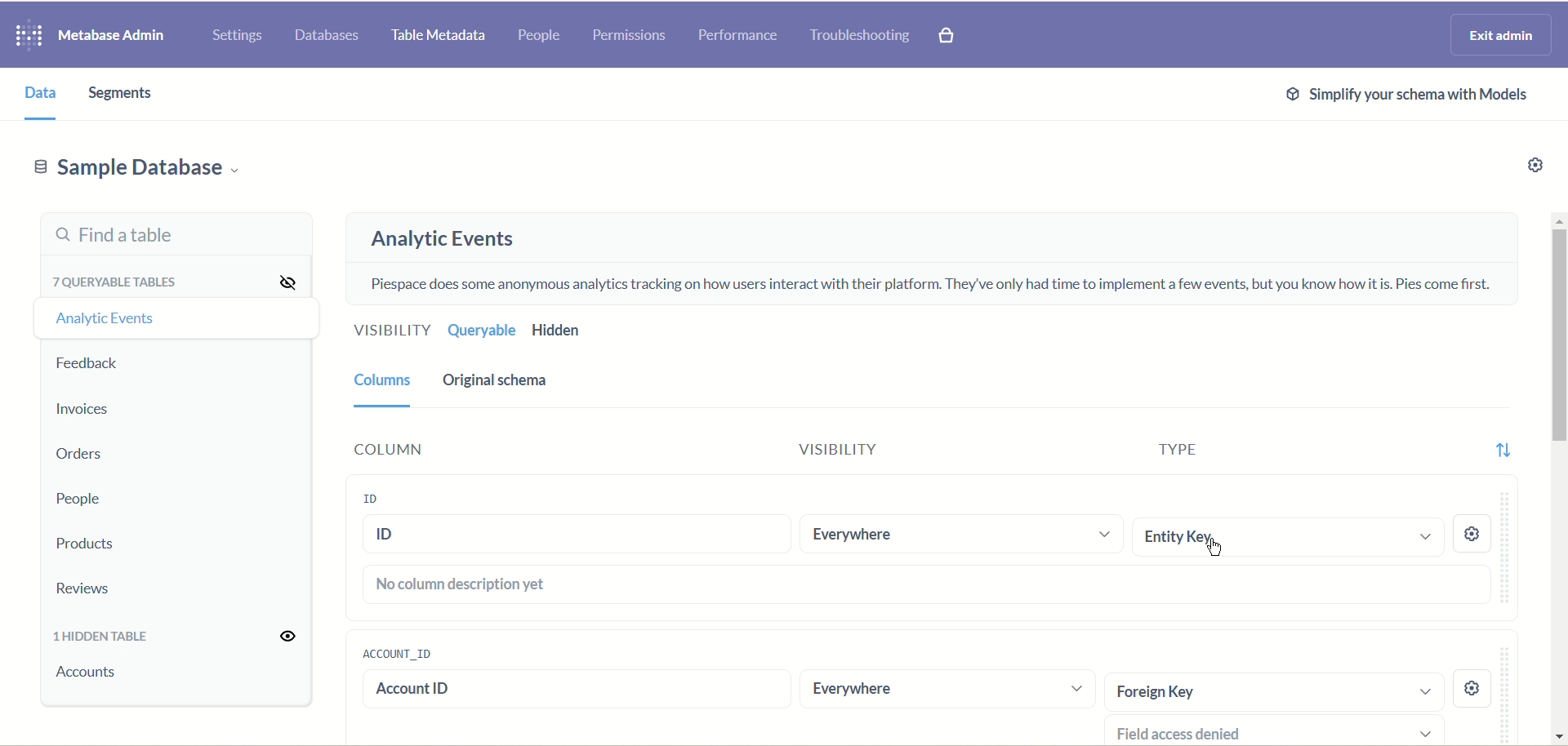  I want to click on account, so click(91, 673).